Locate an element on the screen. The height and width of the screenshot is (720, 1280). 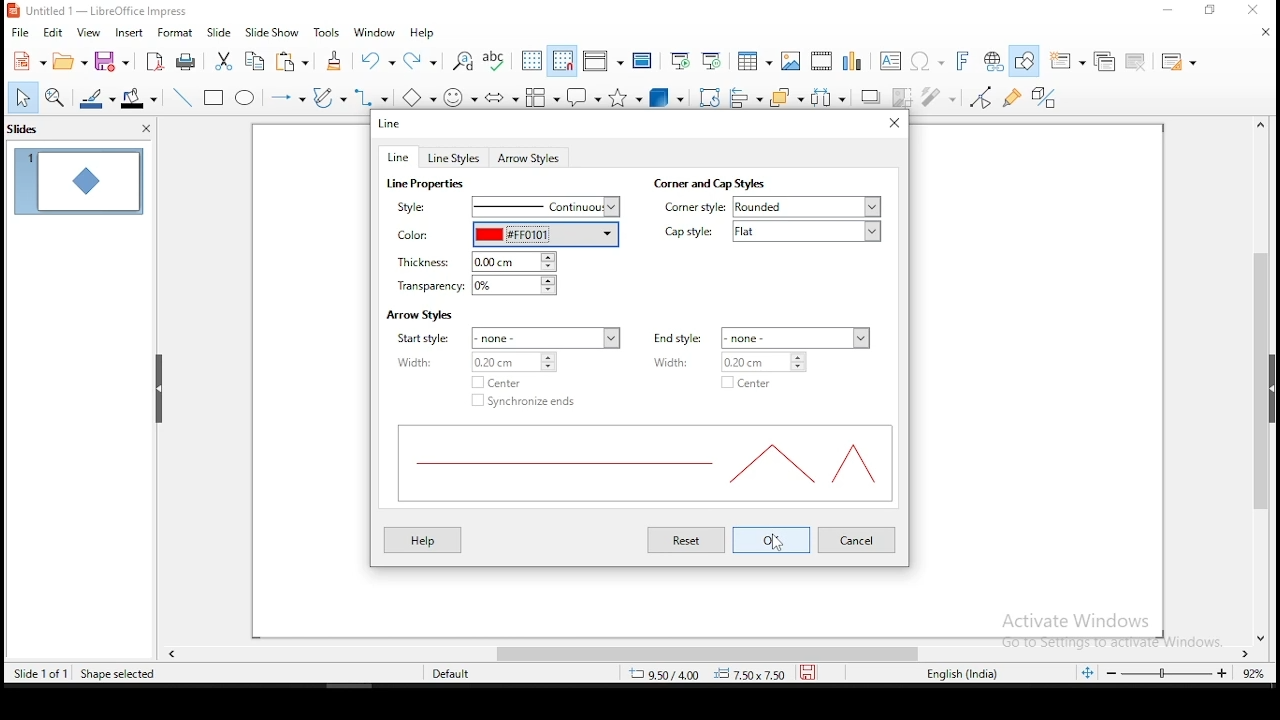
 is located at coordinates (965, 61).